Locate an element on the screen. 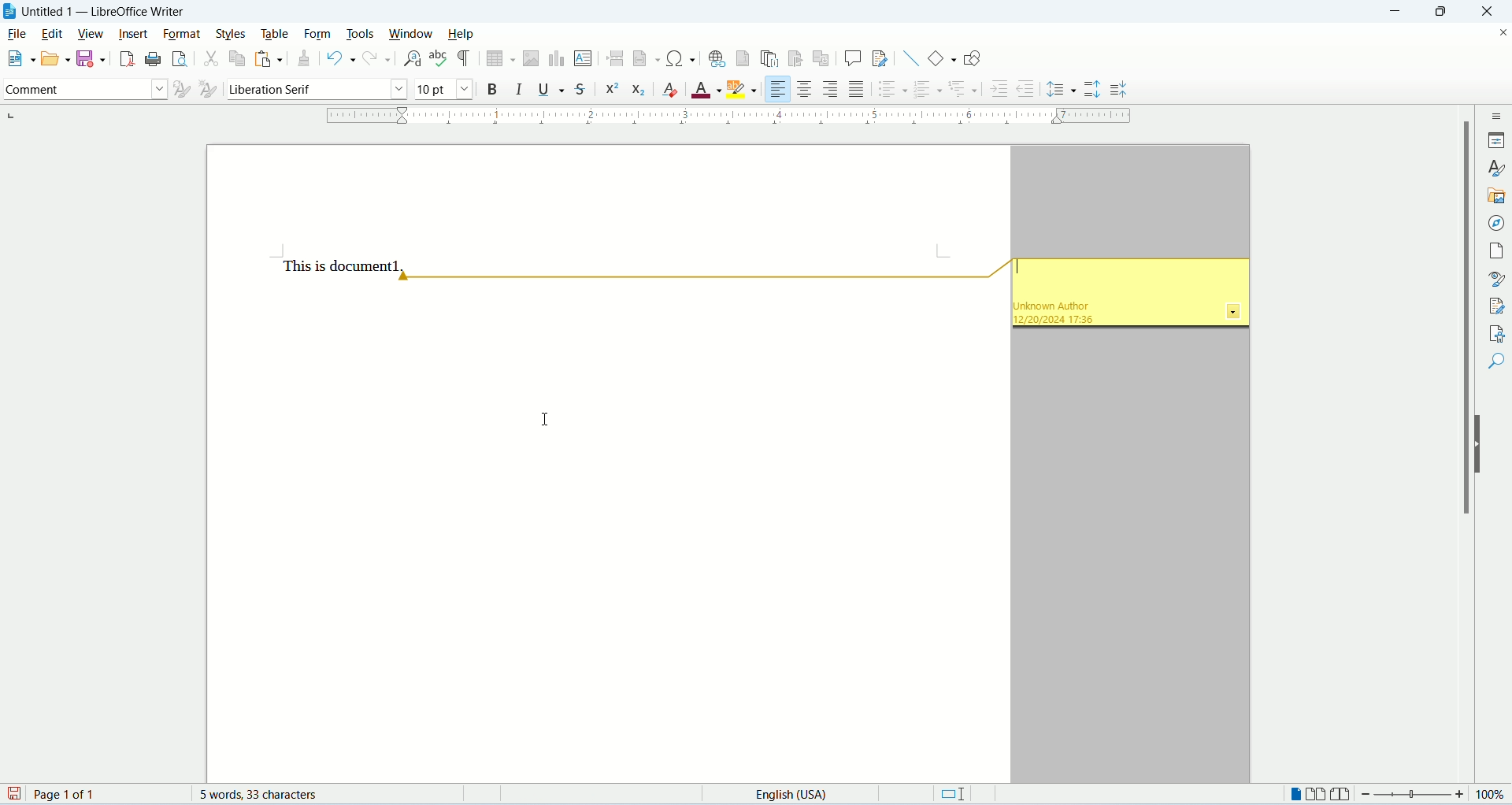  clear formatting is located at coordinates (672, 91).